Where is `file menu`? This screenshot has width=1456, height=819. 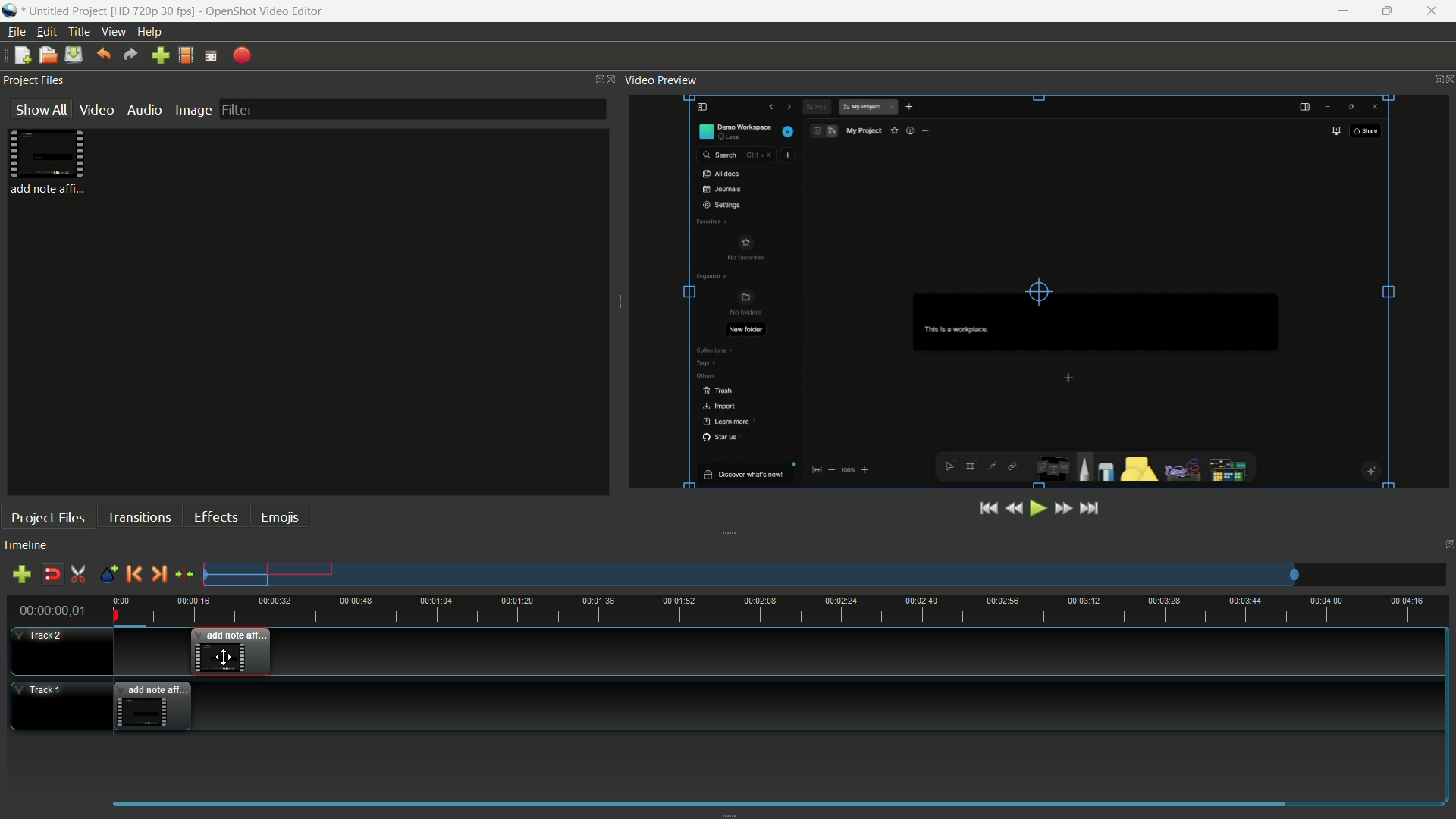 file menu is located at coordinates (17, 32).